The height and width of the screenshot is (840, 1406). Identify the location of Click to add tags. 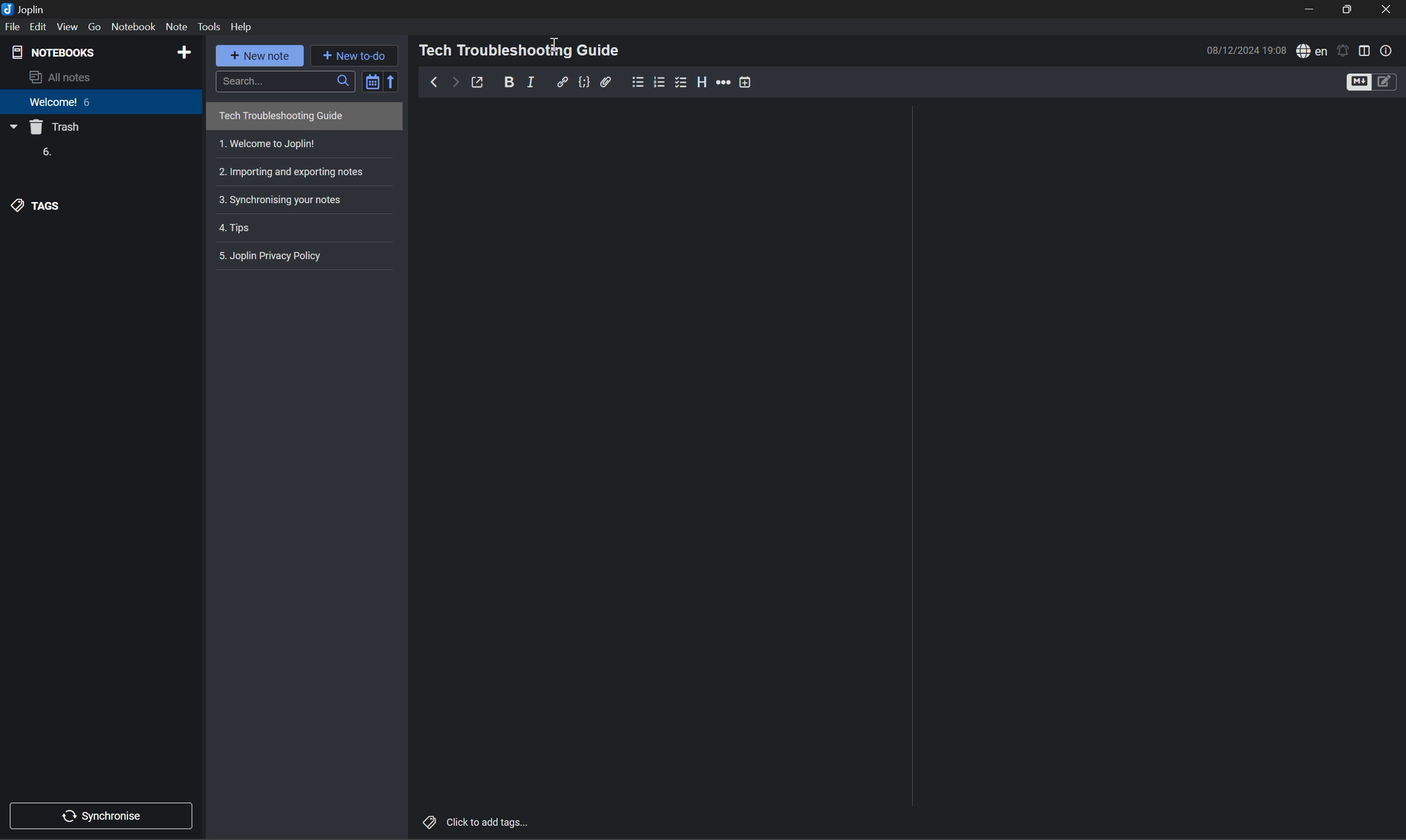
(477, 821).